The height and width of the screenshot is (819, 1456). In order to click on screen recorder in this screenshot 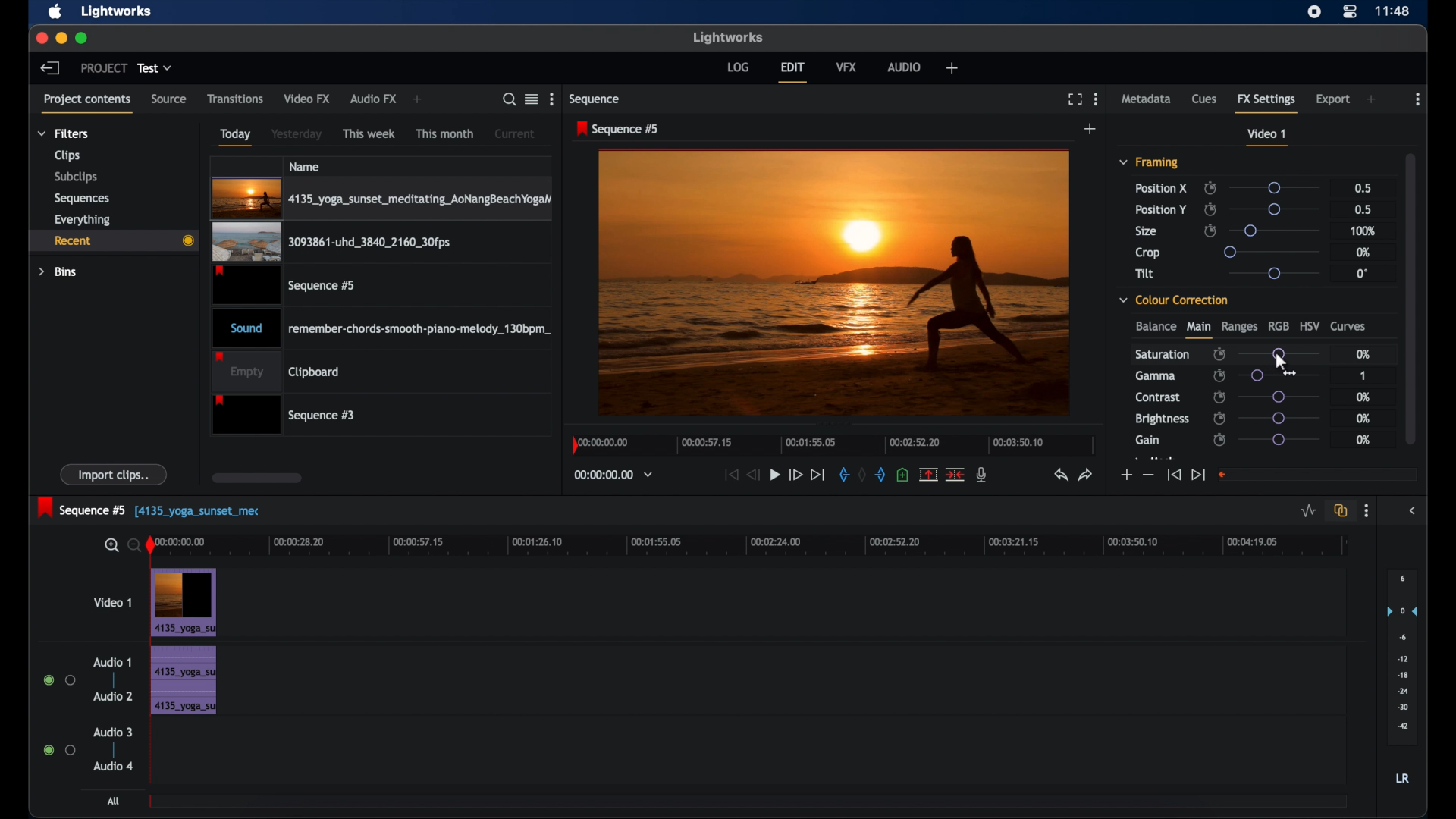, I will do `click(1315, 11)`.